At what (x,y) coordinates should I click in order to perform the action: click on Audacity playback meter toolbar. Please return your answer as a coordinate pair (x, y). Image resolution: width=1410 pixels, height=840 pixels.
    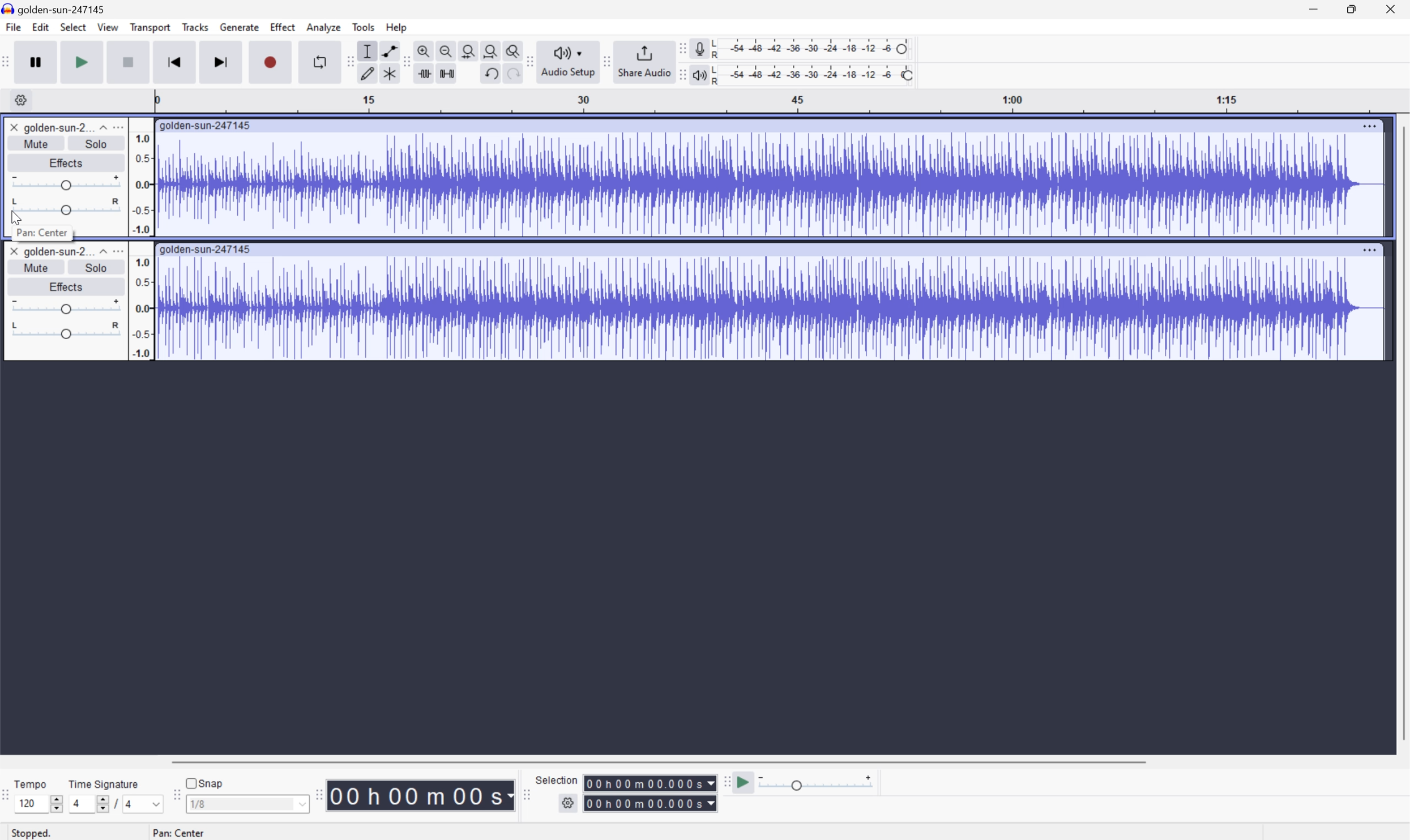
    Looking at the image, I should click on (680, 70).